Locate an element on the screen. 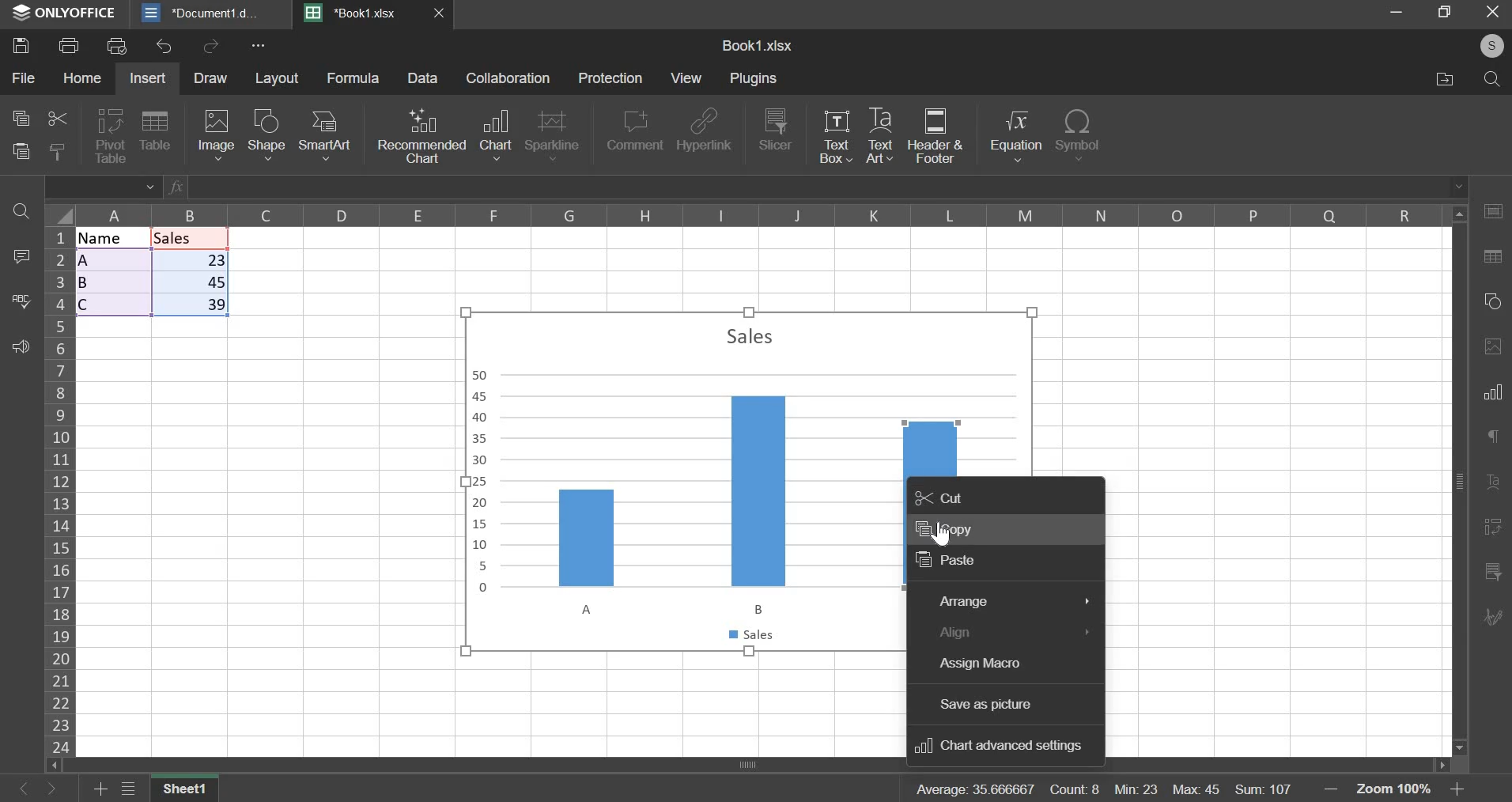 This screenshot has height=802, width=1512. draw is located at coordinates (210, 78).